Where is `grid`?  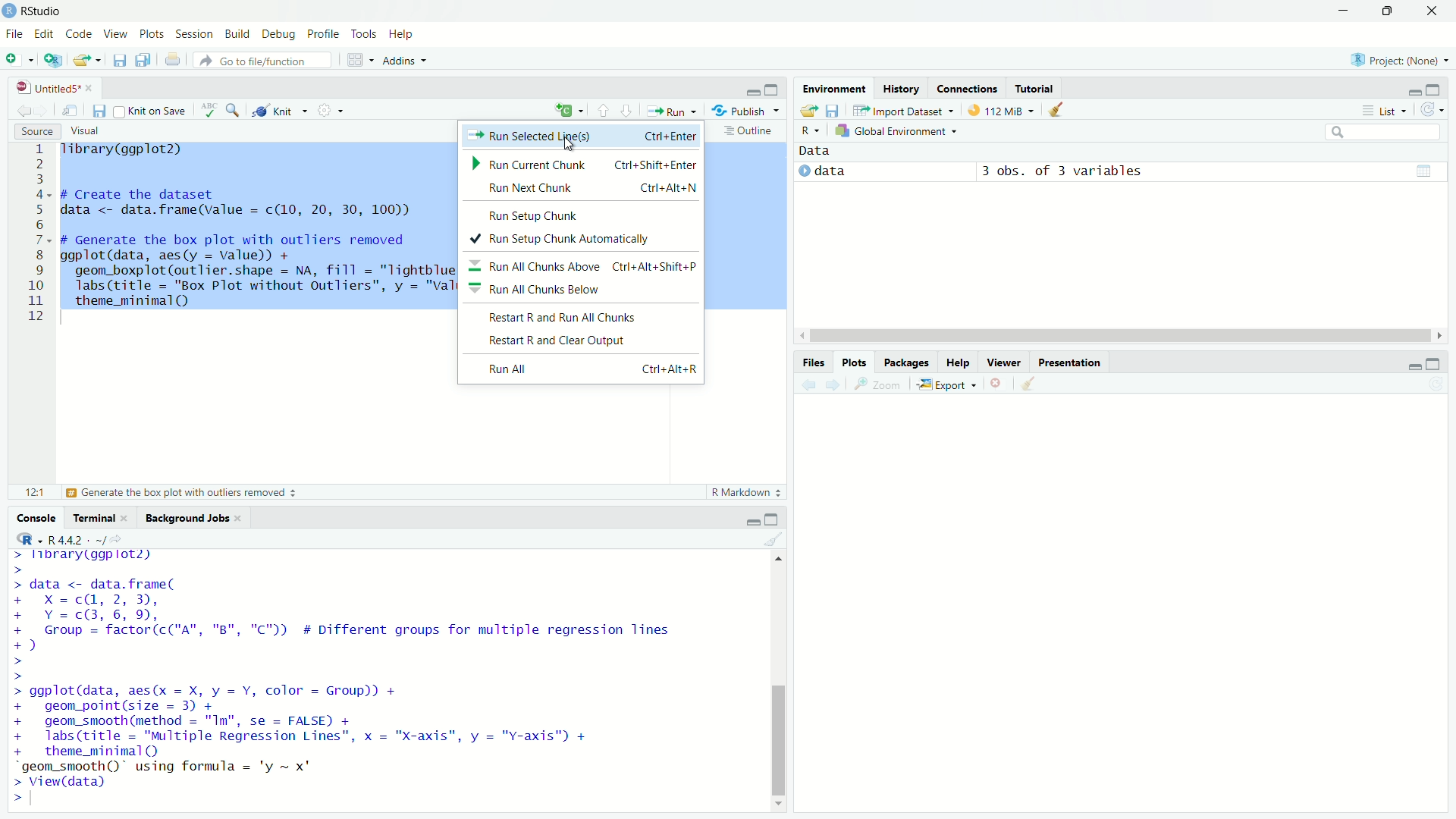 grid is located at coordinates (354, 64).